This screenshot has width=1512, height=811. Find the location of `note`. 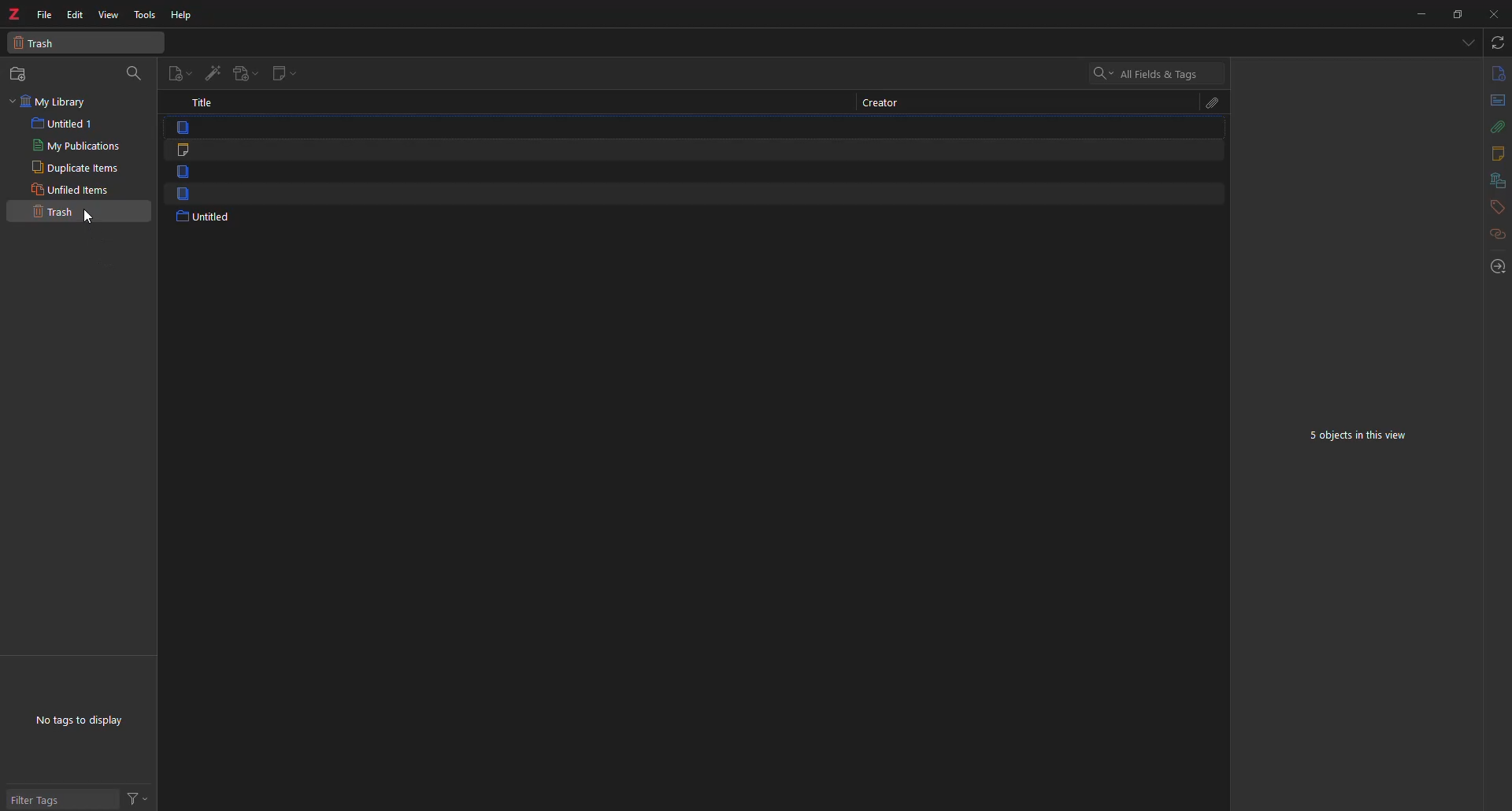

note is located at coordinates (183, 150).